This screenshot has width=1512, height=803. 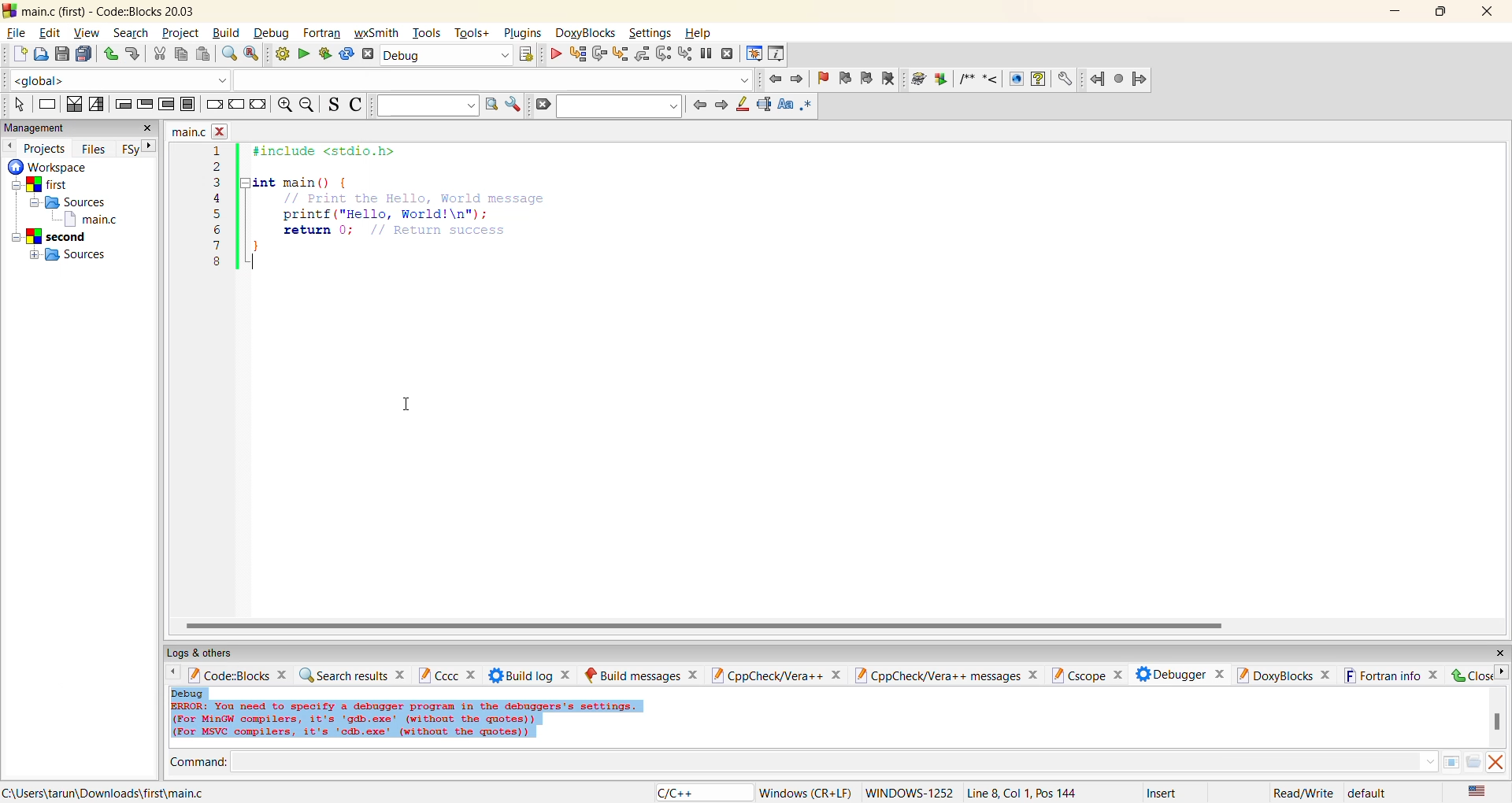 I want to click on previous bookmark, so click(x=845, y=78).